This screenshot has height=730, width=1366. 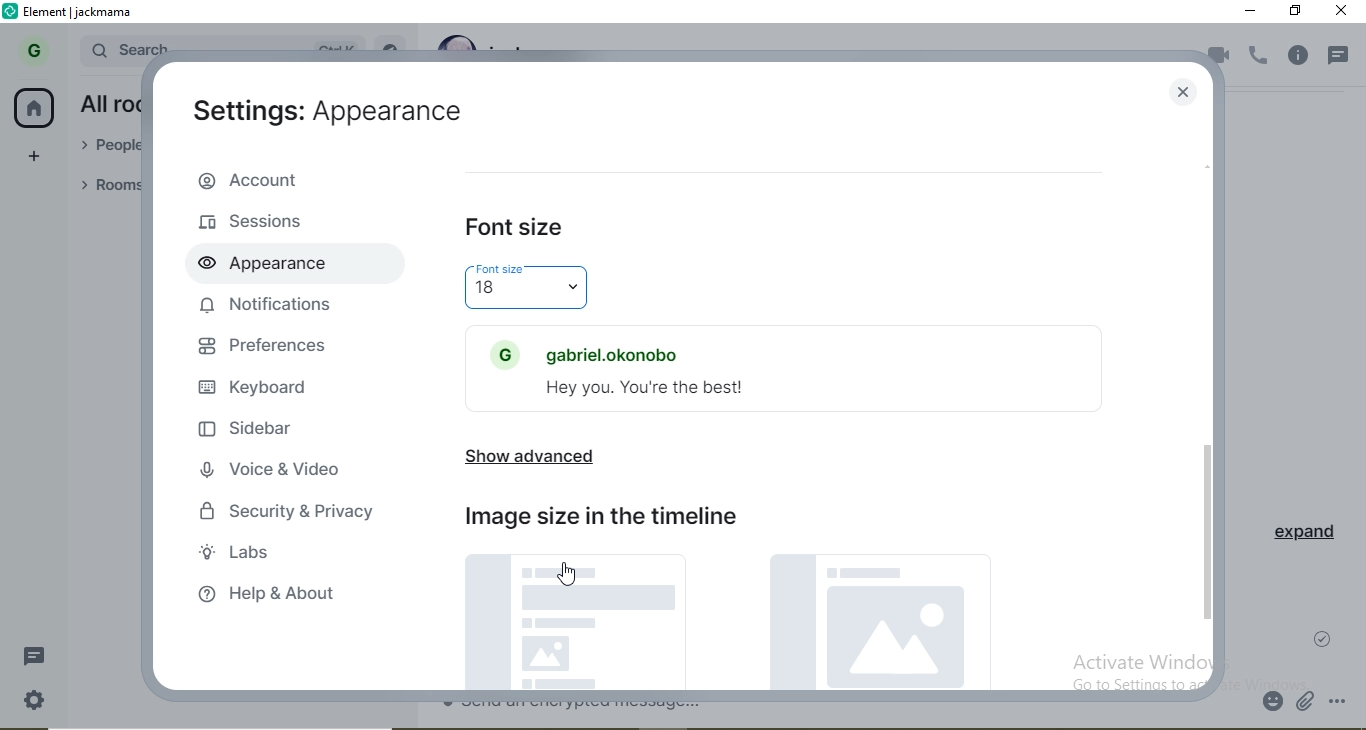 What do you see at coordinates (40, 656) in the screenshot?
I see `message` at bounding box center [40, 656].